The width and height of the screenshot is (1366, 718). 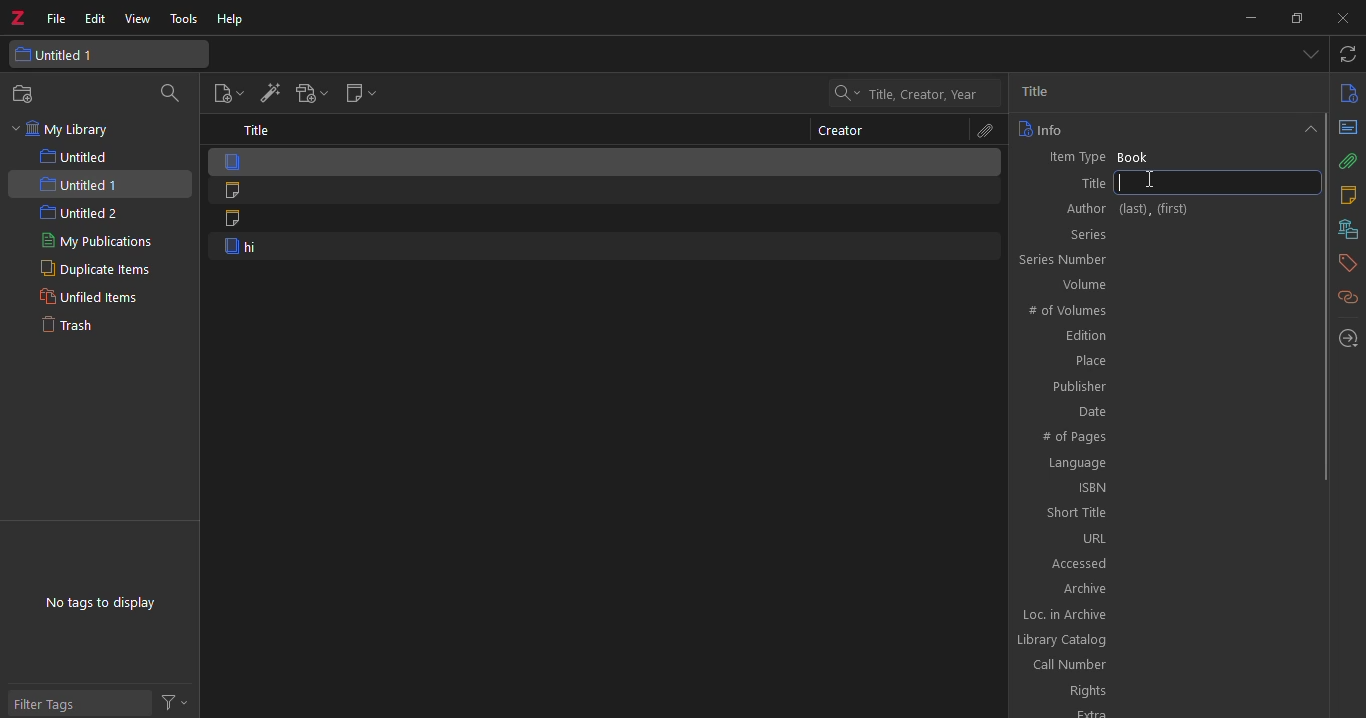 What do you see at coordinates (1165, 665) in the screenshot?
I see `call number` at bounding box center [1165, 665].